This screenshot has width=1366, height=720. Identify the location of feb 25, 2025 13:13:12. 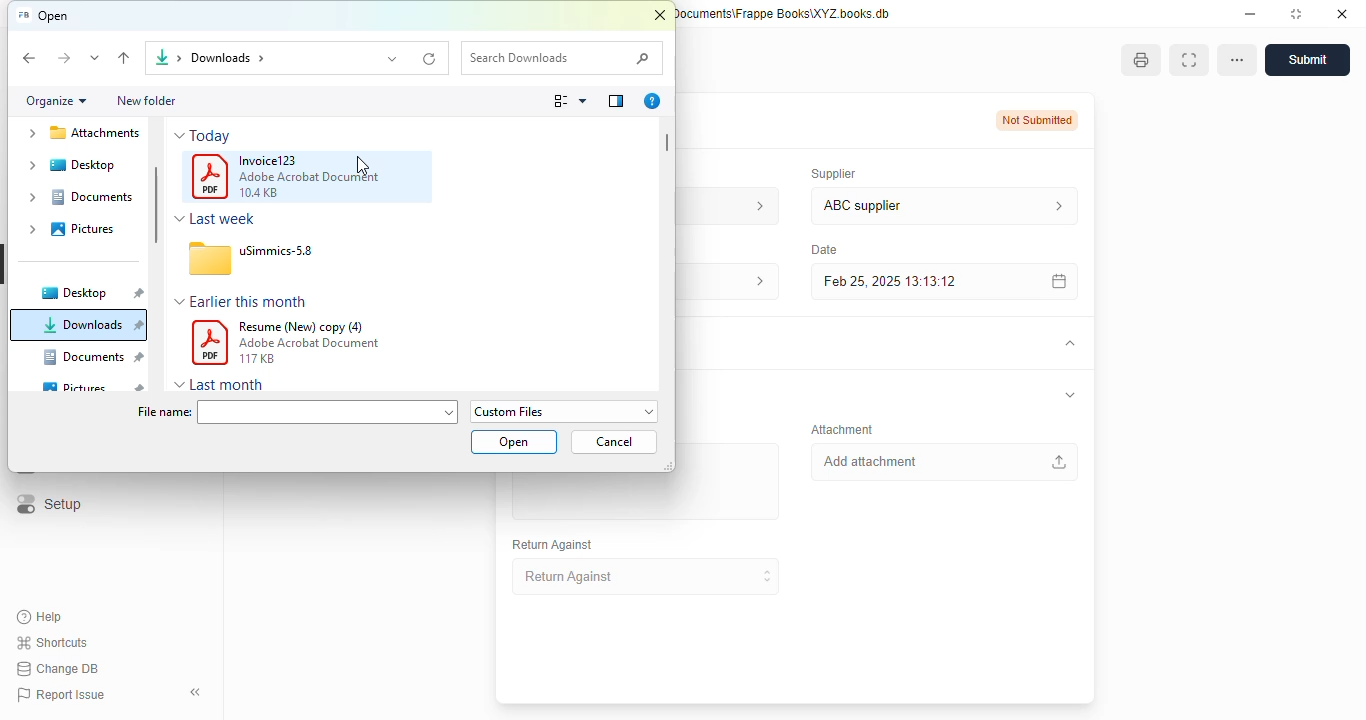
(905, 281).